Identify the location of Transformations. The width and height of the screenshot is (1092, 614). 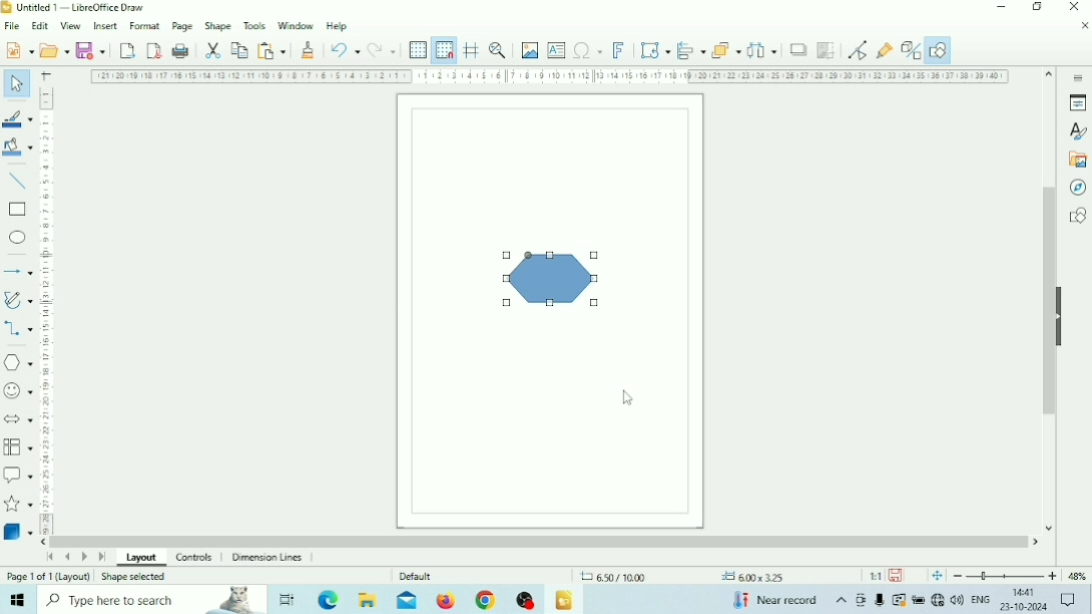
(654, 49).